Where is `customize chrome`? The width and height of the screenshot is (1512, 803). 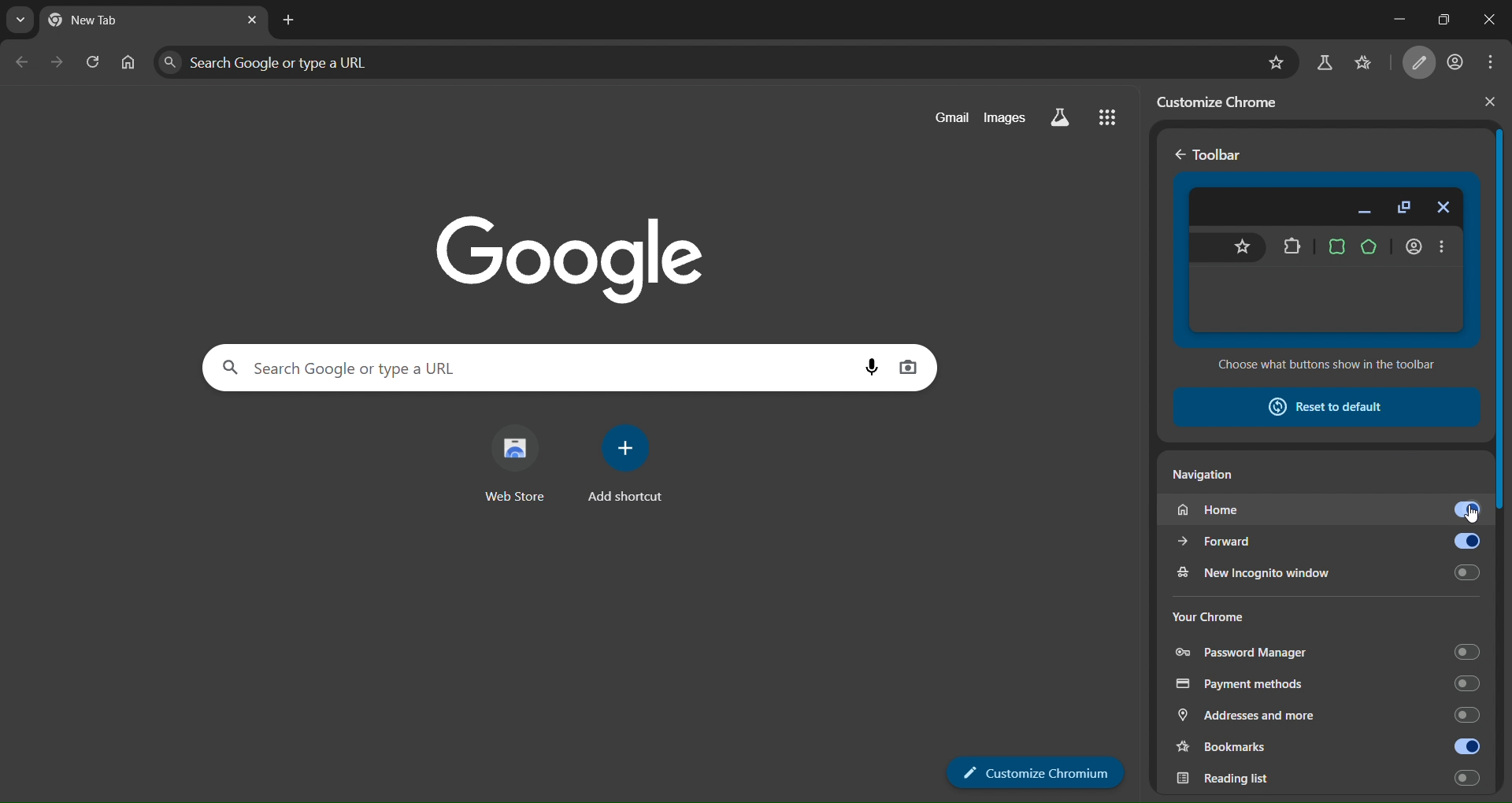 customize chrome is located at coordinates (1422, 63).